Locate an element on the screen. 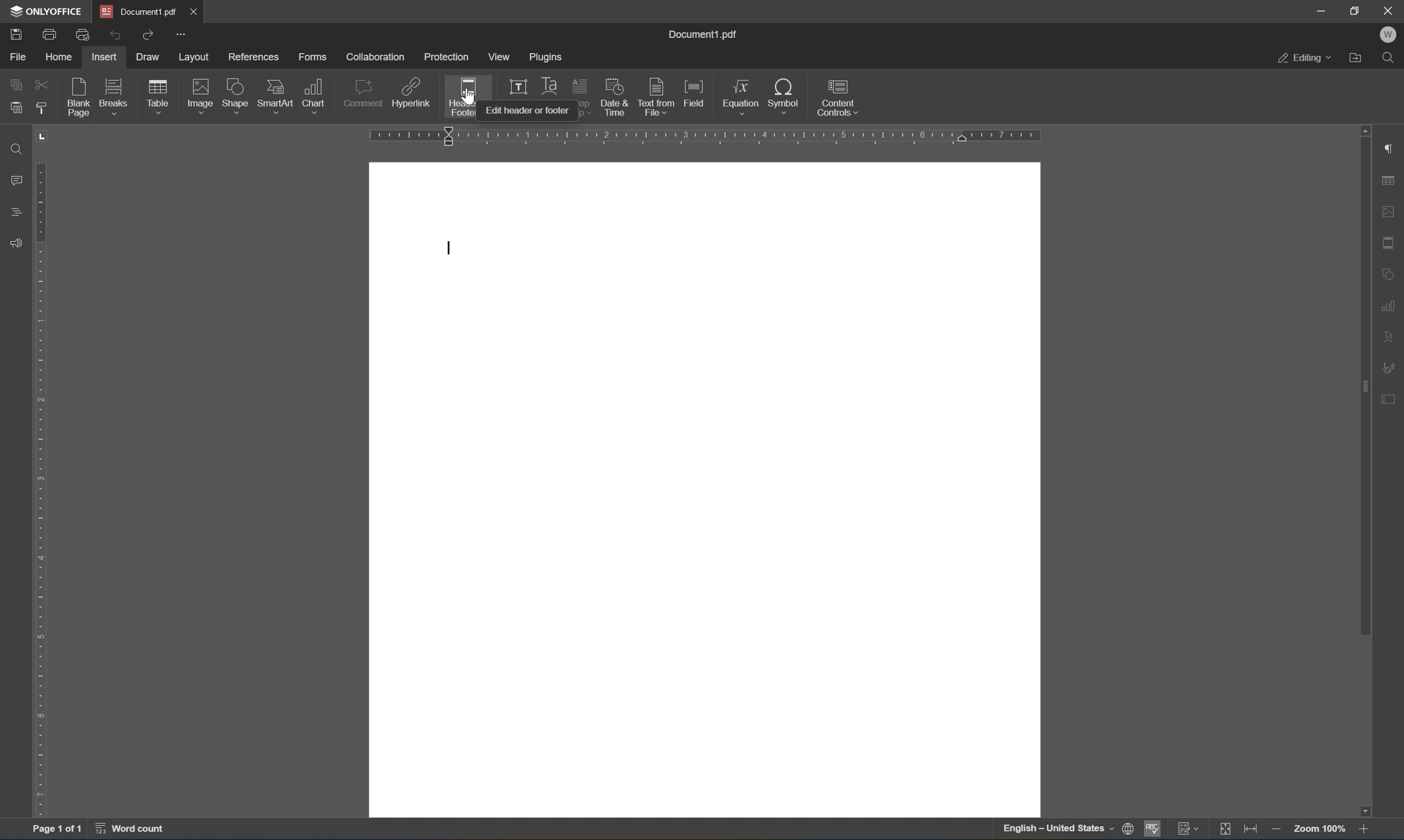  minimize is located at coordinates (1321, 10).